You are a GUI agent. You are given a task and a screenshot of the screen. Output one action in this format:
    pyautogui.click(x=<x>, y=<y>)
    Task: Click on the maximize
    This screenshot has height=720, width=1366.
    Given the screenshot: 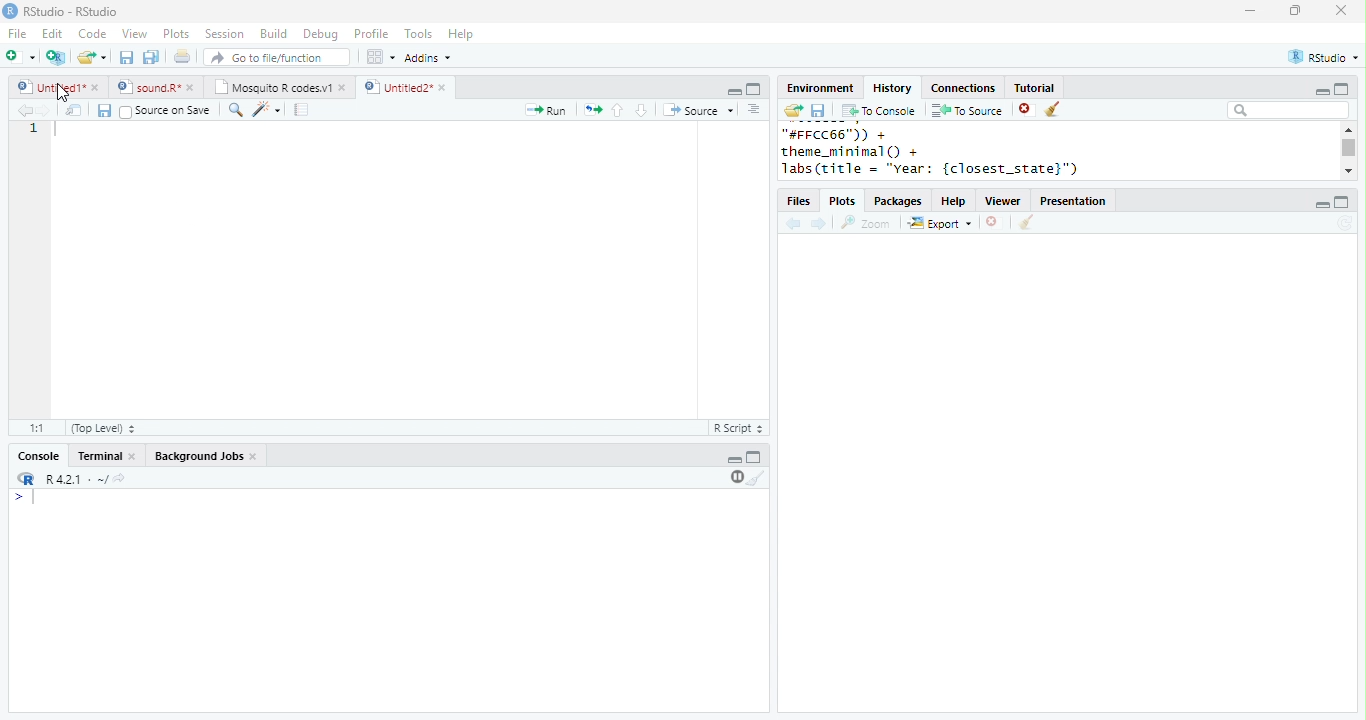 What is the action you would take?
    pyautogui.click(x=1342, y=88)
    